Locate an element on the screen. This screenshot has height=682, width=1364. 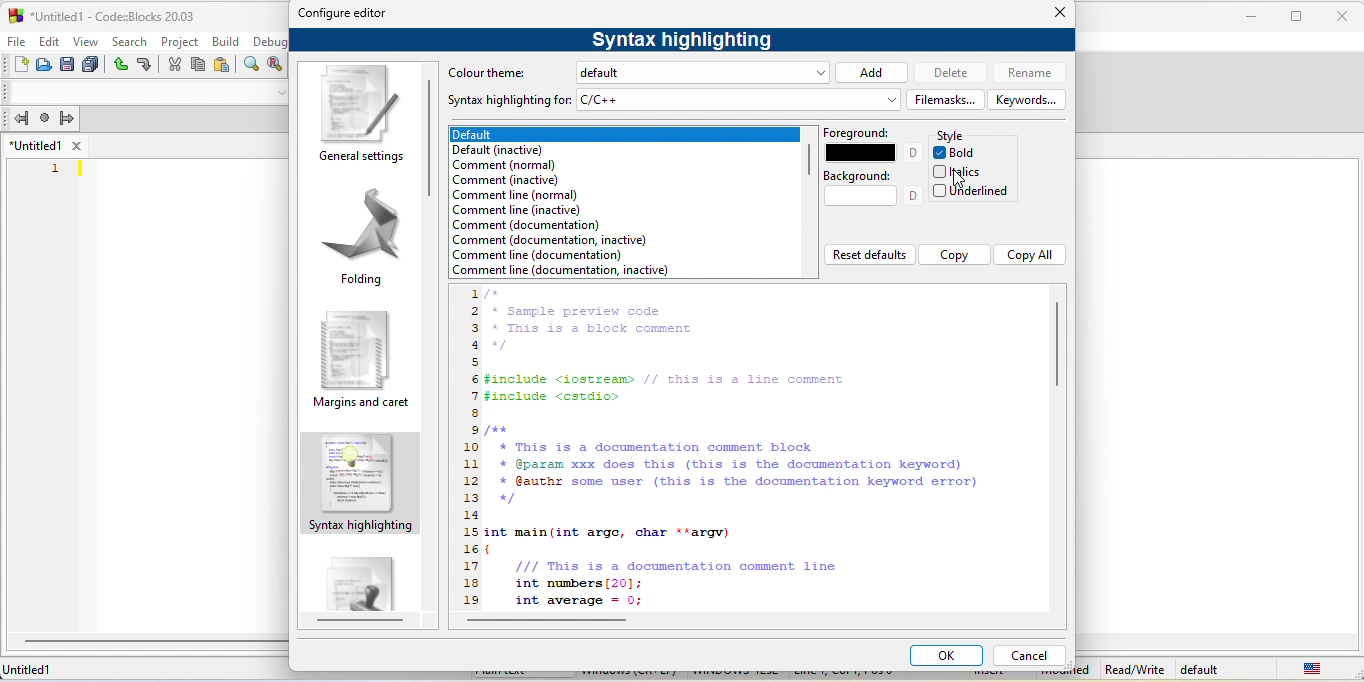
cancel is located at coordinates (1029, 656).